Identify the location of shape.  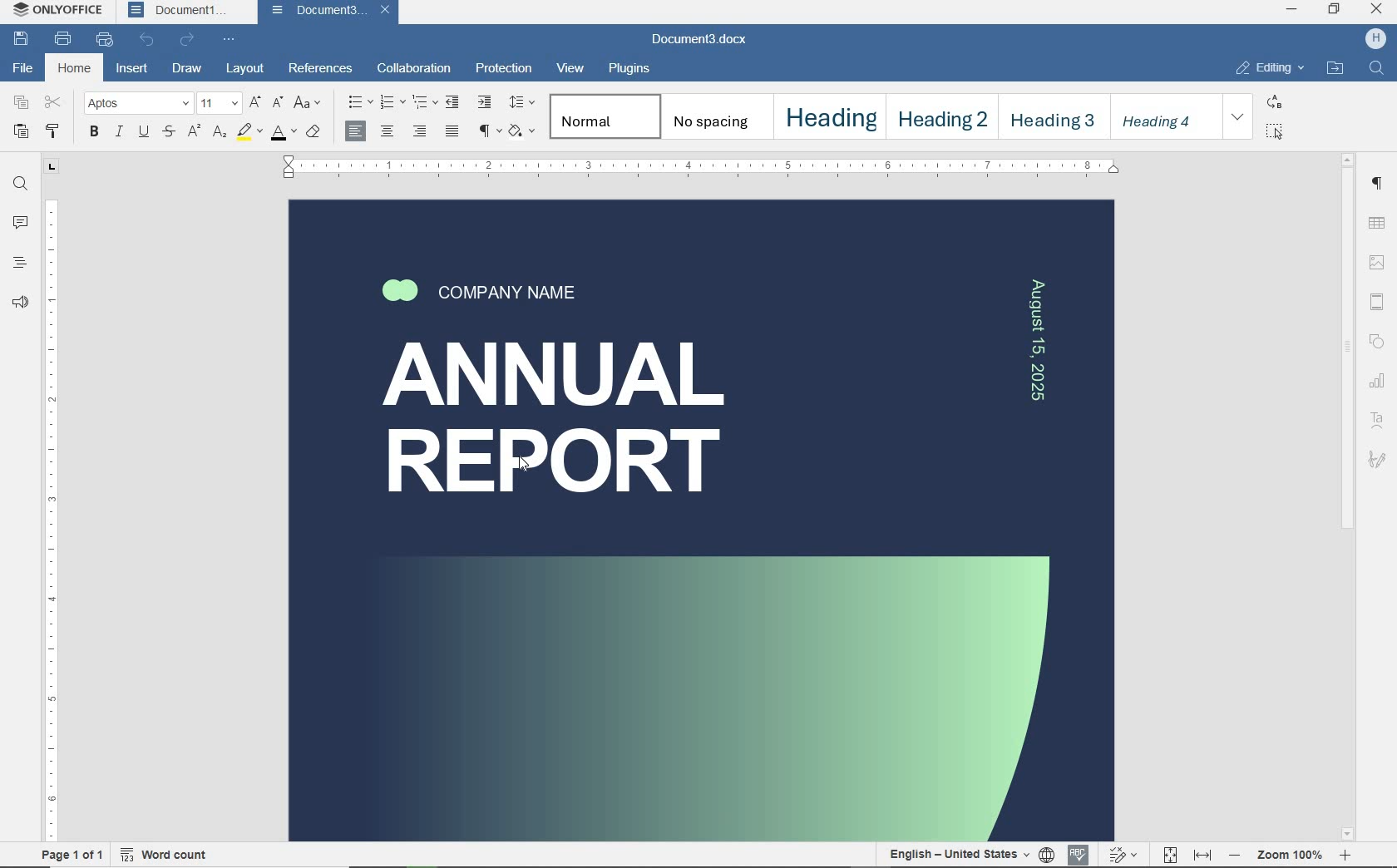
(1378, 342).